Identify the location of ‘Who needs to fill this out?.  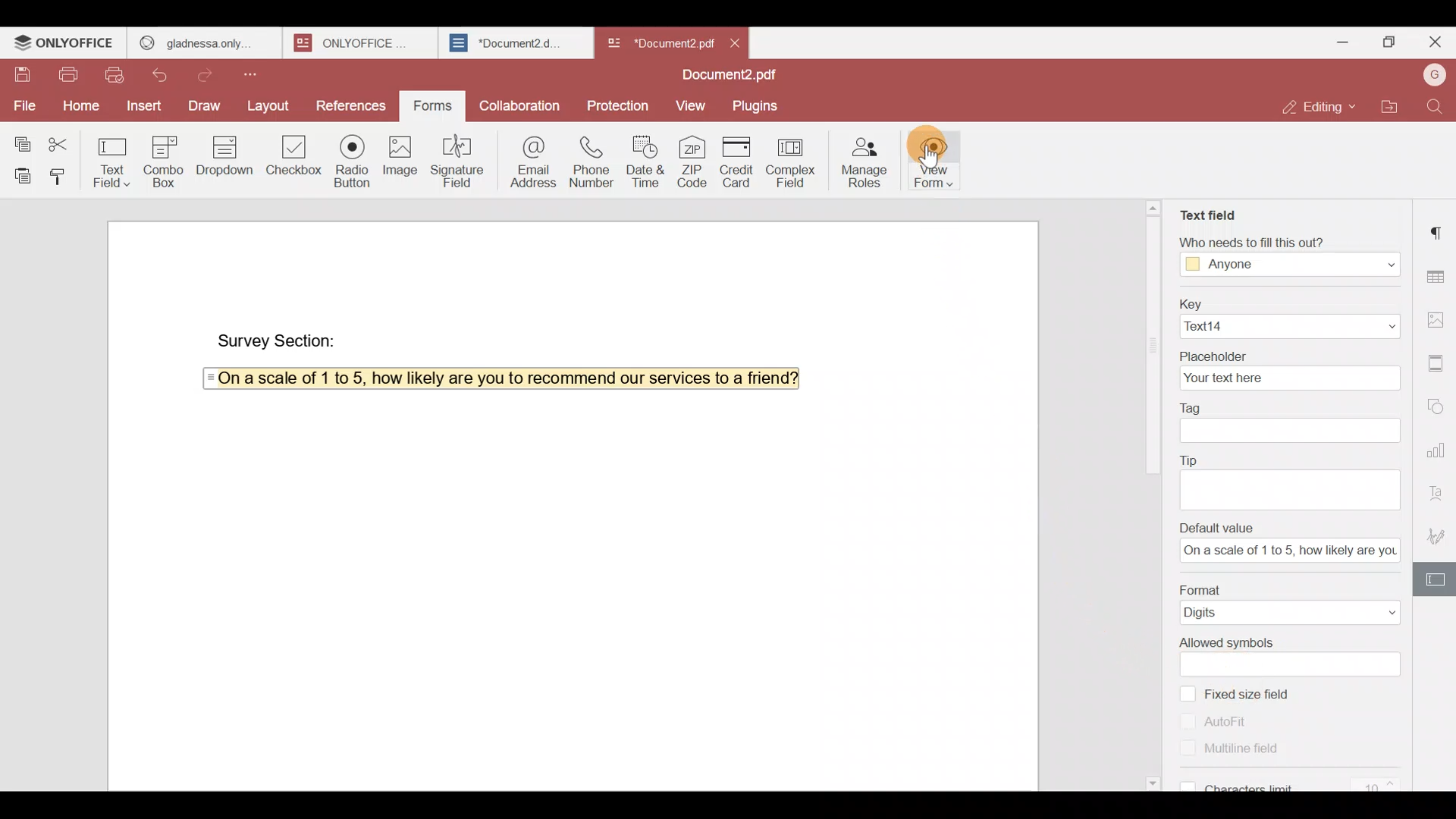
(1296, 242).